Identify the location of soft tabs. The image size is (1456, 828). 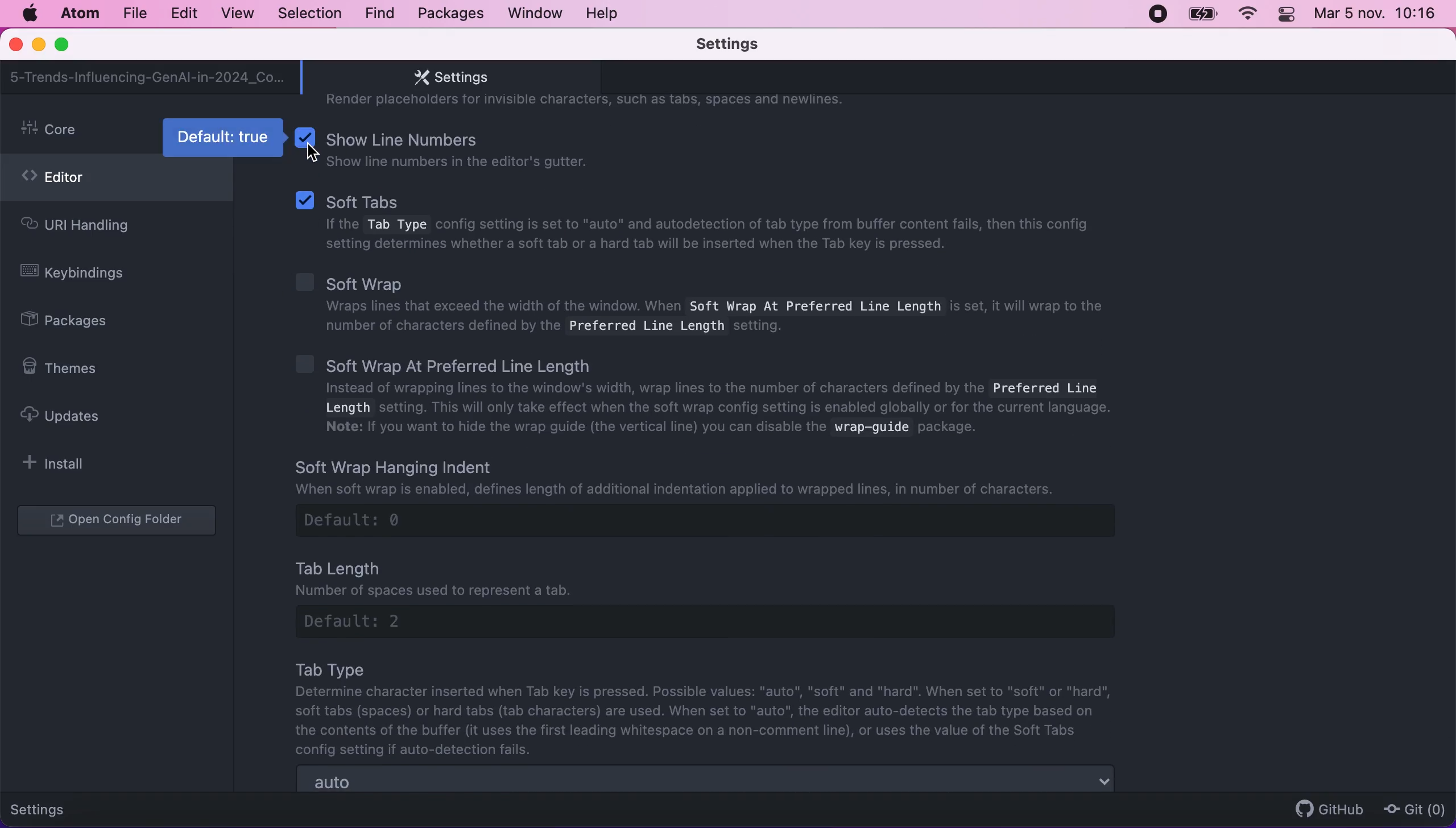
(699, 224).